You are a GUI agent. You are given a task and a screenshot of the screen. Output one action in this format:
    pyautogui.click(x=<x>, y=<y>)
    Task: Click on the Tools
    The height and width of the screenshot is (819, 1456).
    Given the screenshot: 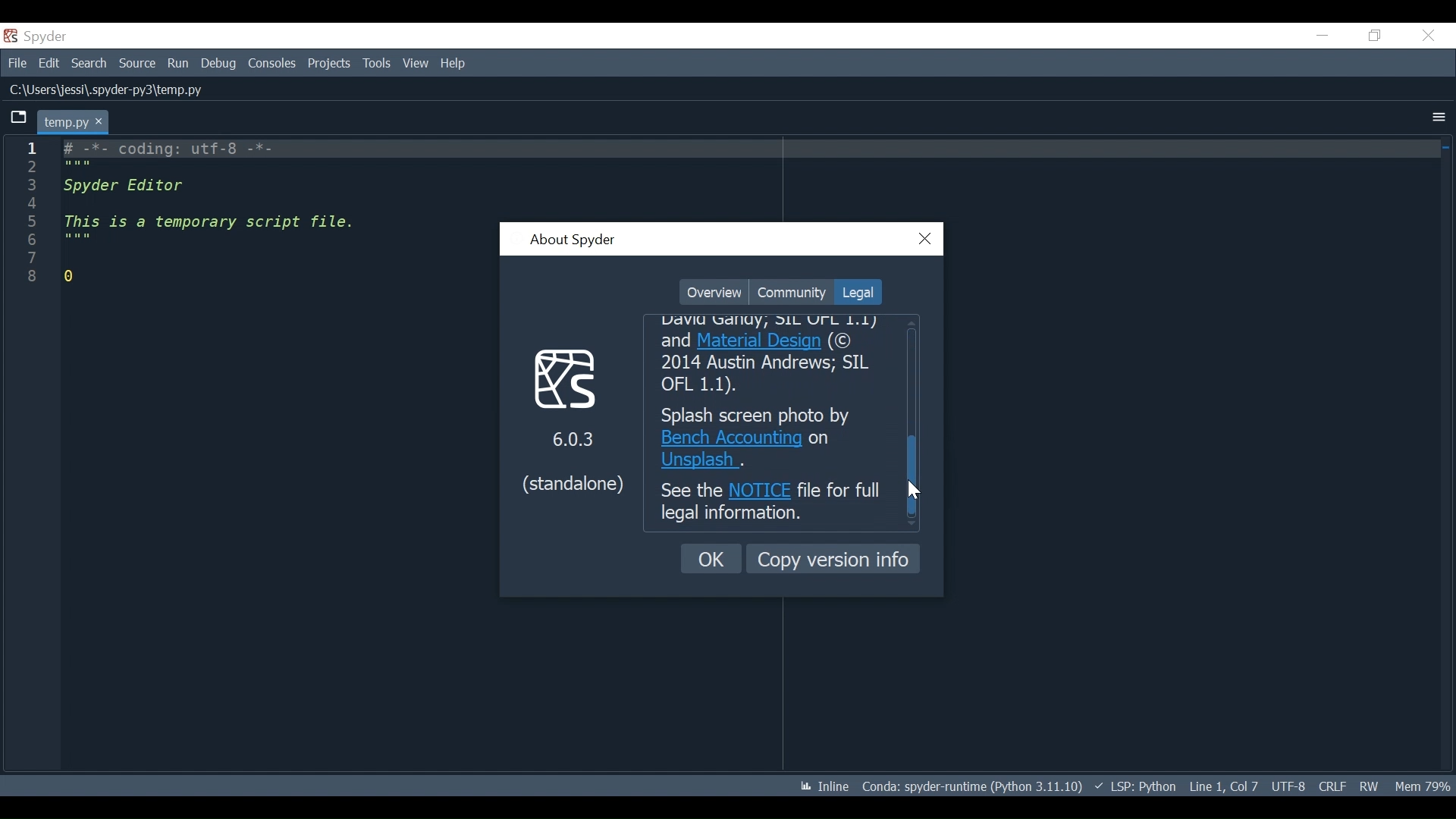 What is the action you would take?
    pyautogui.click(x=378, y=64)
    